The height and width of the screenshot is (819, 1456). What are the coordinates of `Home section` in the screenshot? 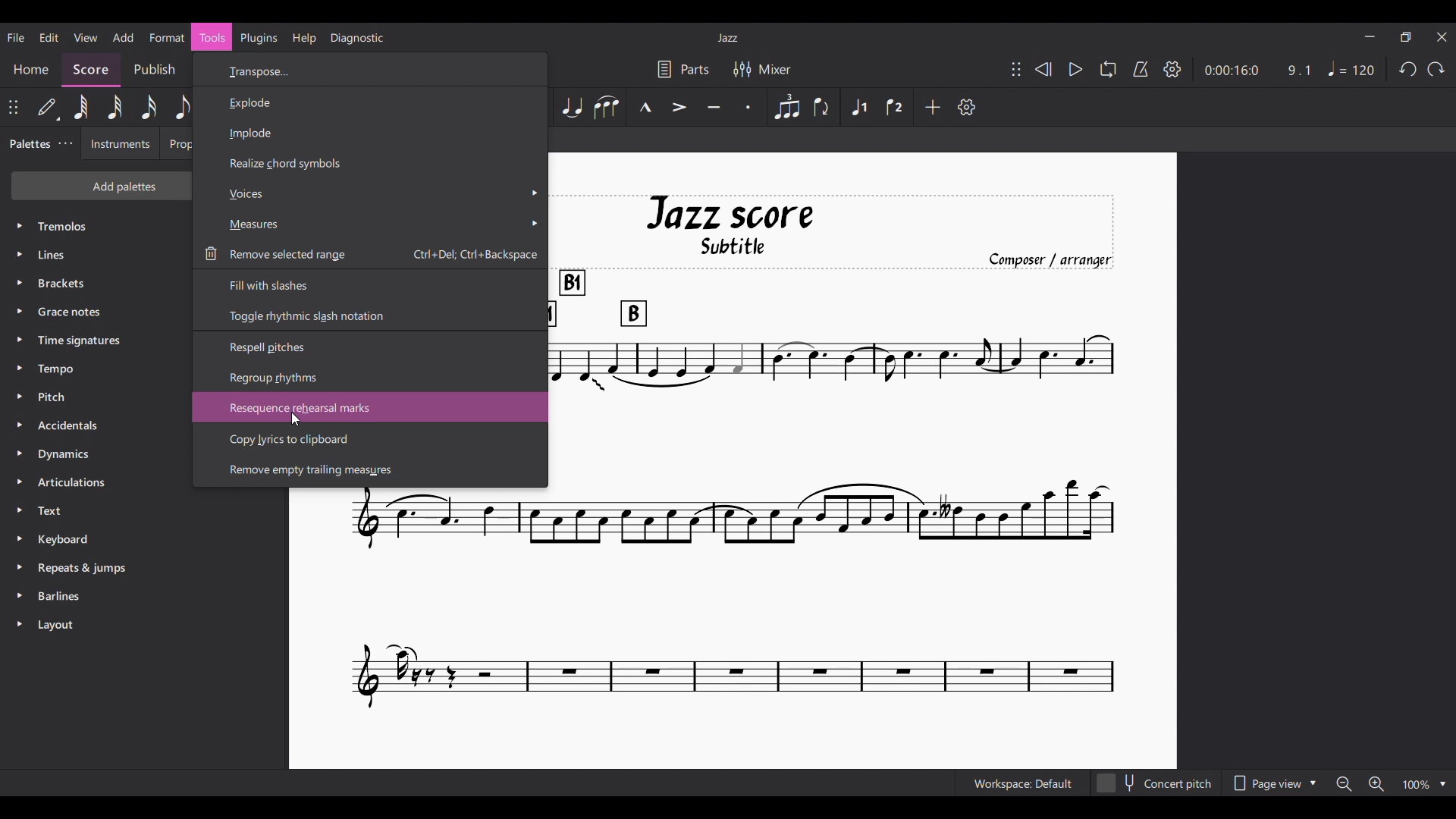 It's located at (31, 71).